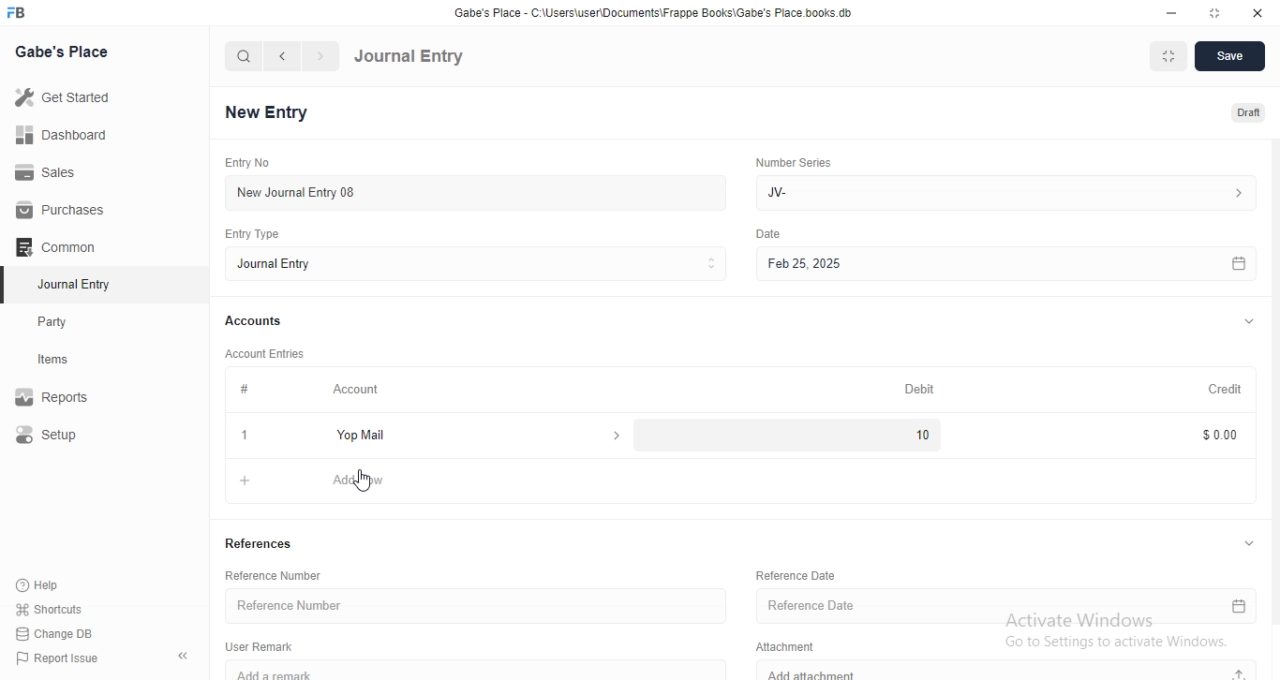 The image size is (1280, 680). Describe the element at coordinates (68, 101) in the screenshot. I see `Get Started` at that location.